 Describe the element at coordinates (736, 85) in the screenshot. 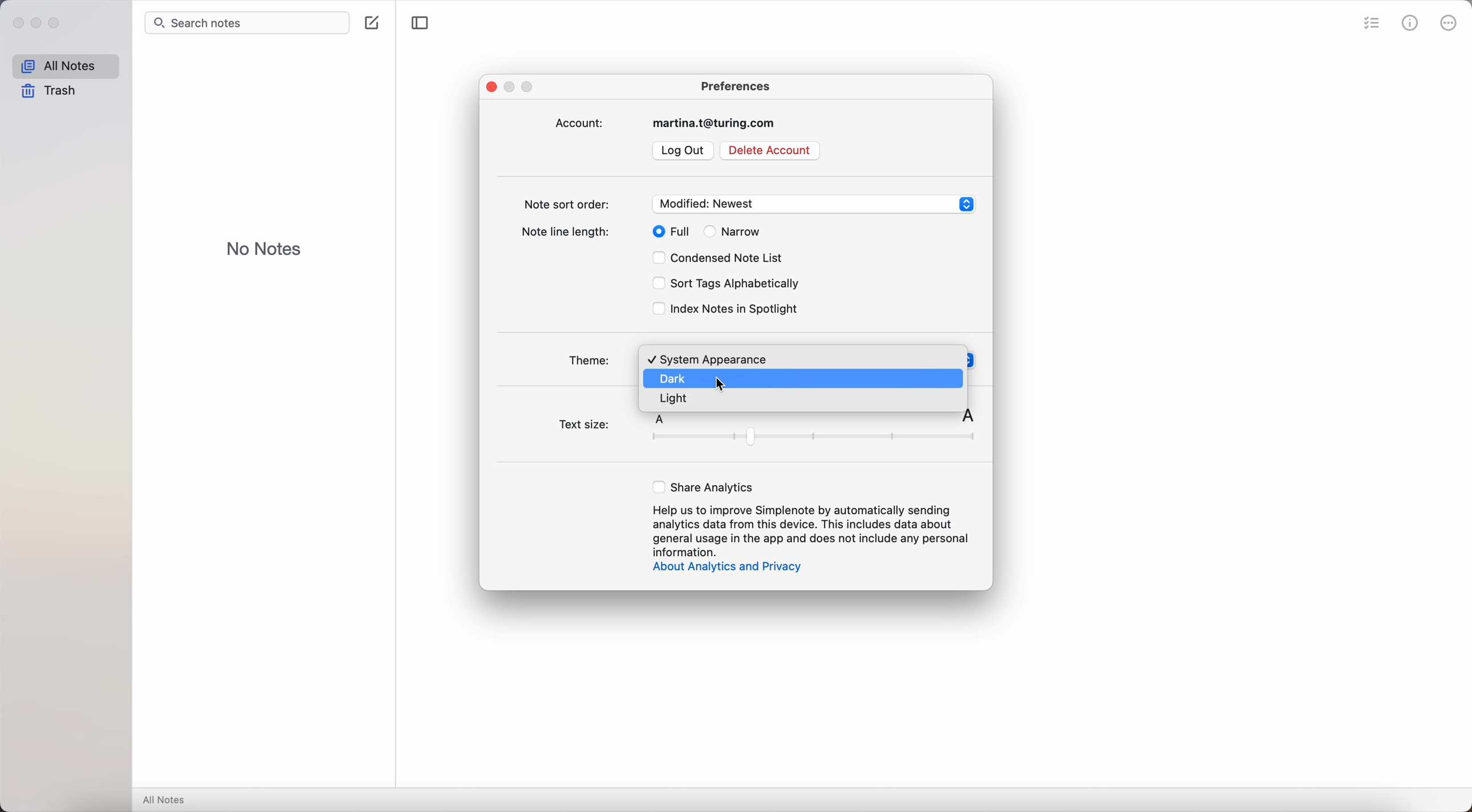

I see `preferences` at that location.